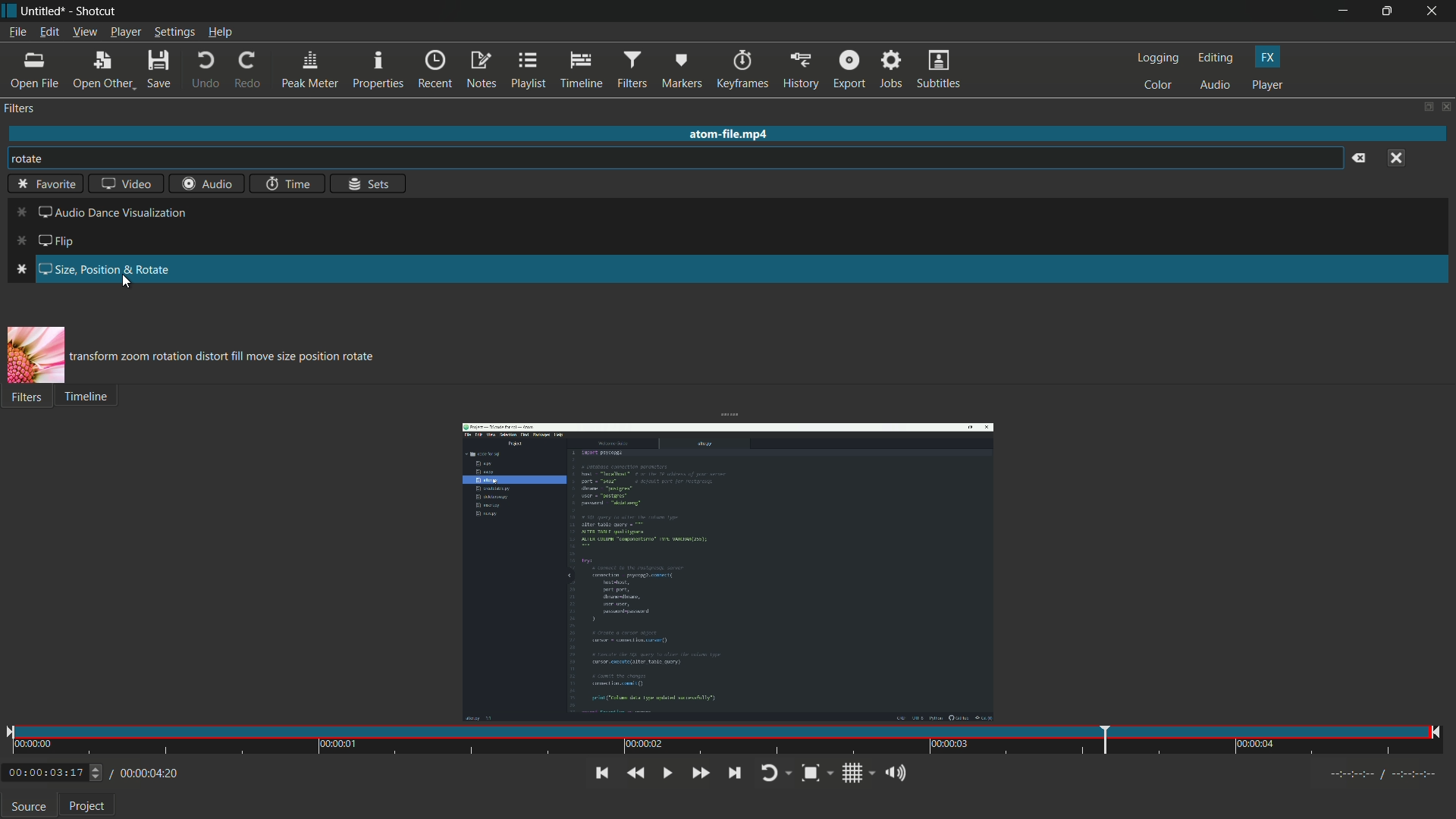 Image resolution: width=1456 pixels, height=819 pixels. What do you see at coordinates (125, 33) in the screenshot?
I see `player menu` at bounding box center [125, 33].